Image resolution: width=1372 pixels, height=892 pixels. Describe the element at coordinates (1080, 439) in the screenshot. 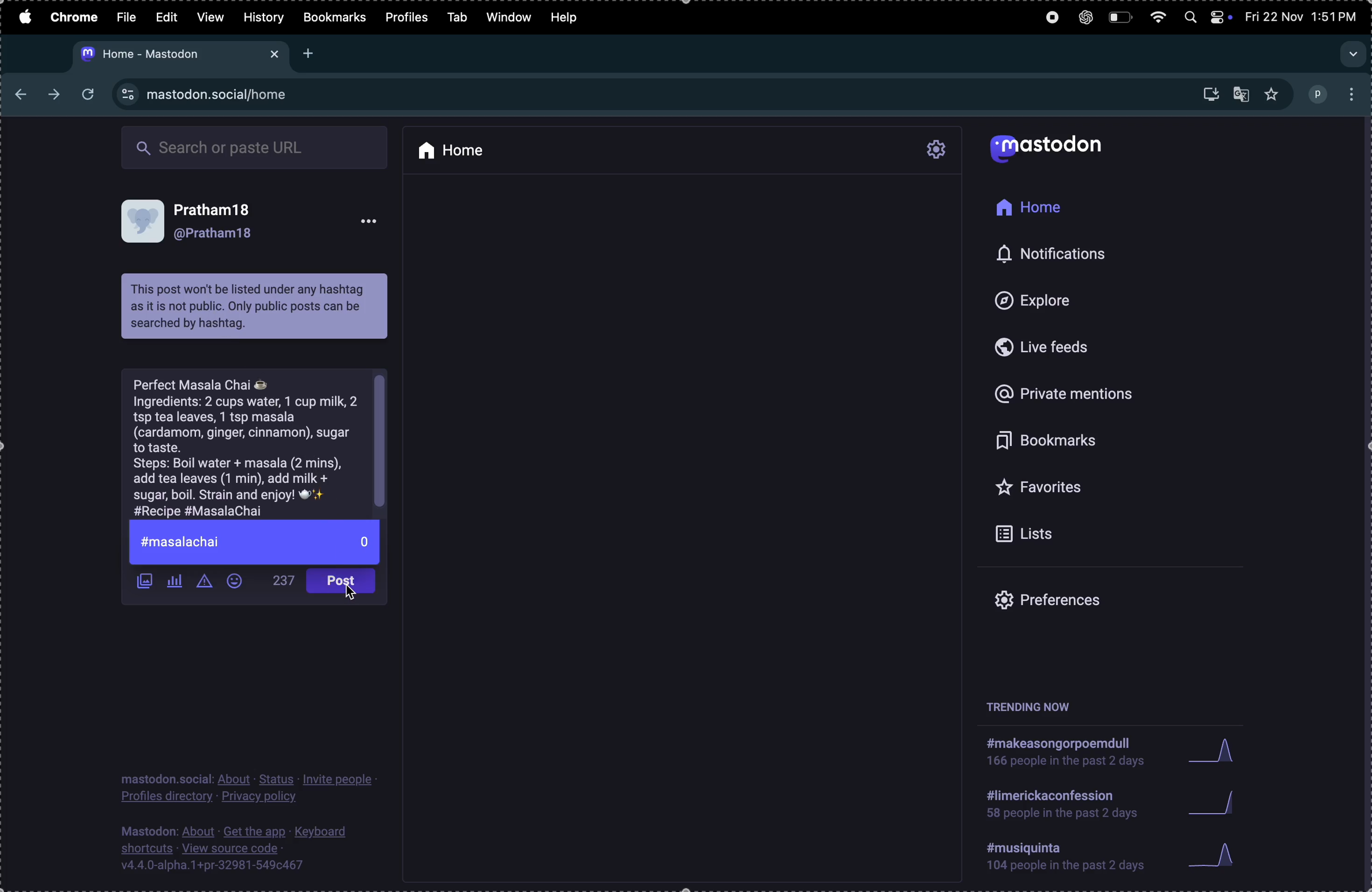

I see `bookmarks` at that location.